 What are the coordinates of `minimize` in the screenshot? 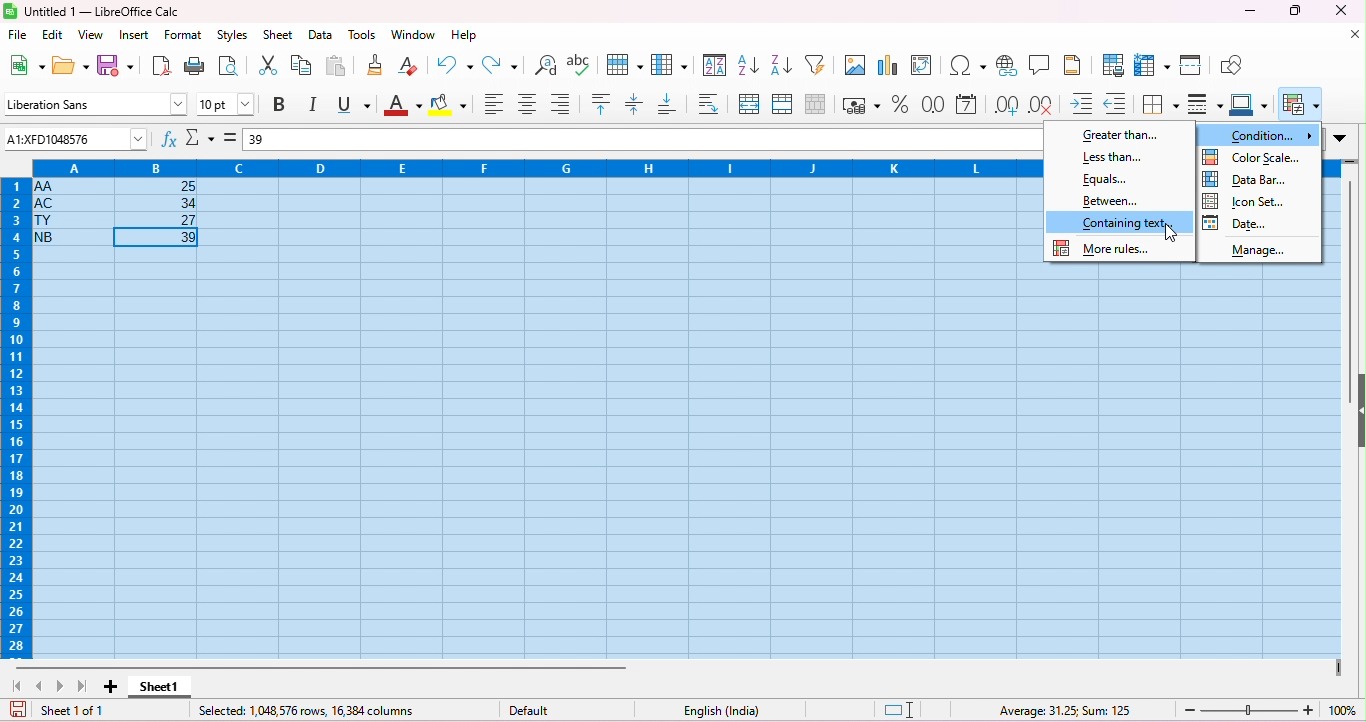 It's located at (1249, 12).